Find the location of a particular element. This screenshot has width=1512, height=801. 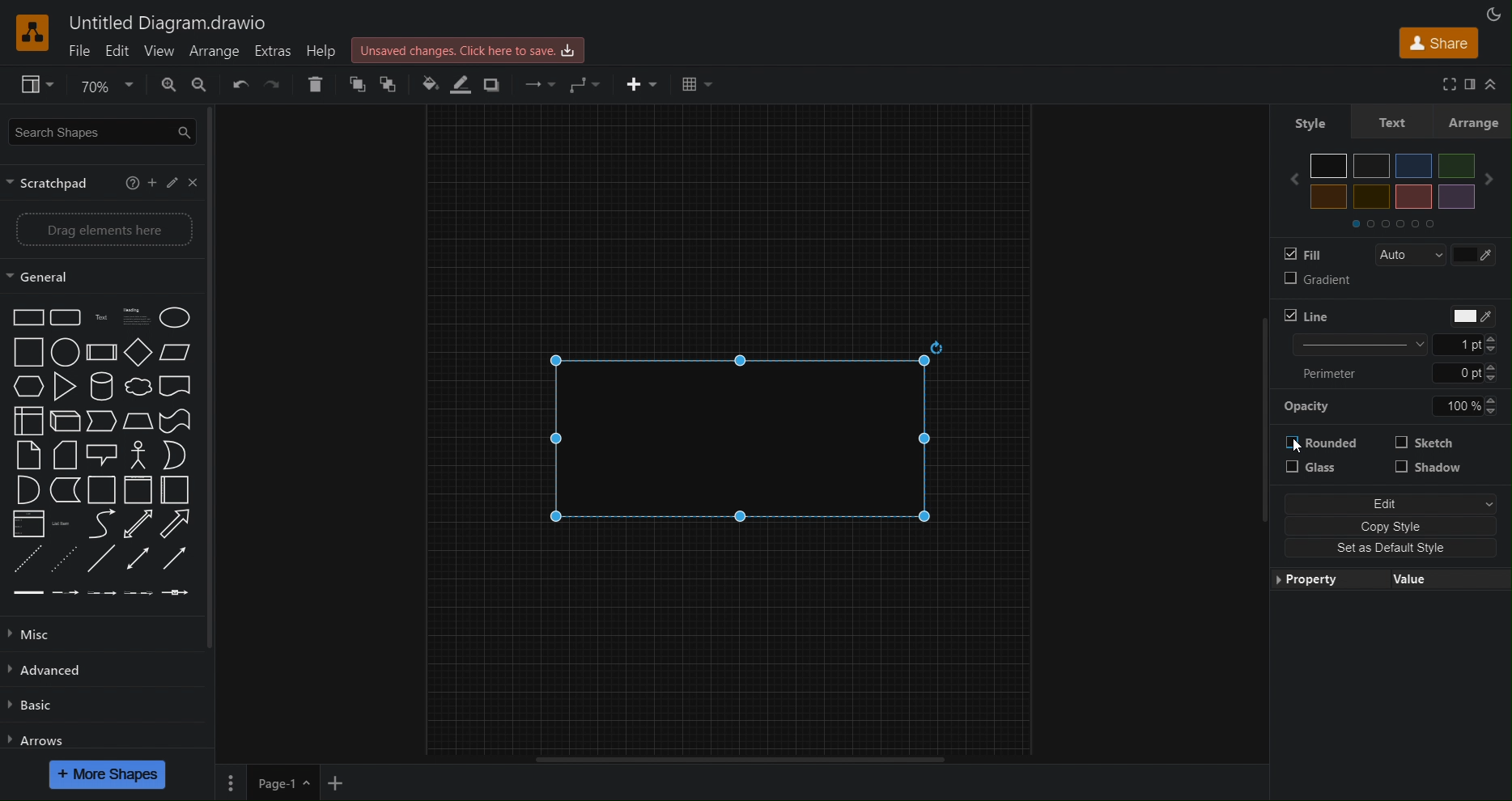

Line Size is located at coordinates (1394, 345).